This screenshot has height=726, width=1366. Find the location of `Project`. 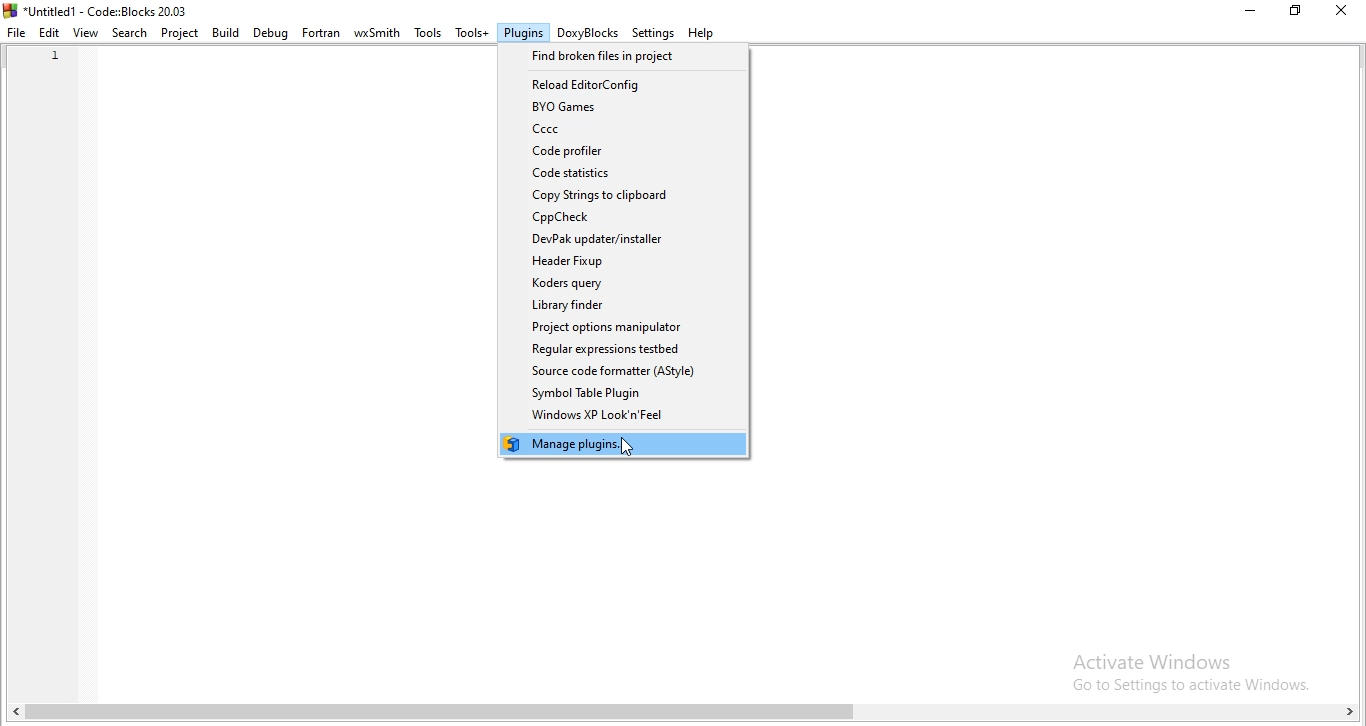

Project is located at coordinates (179, 34).